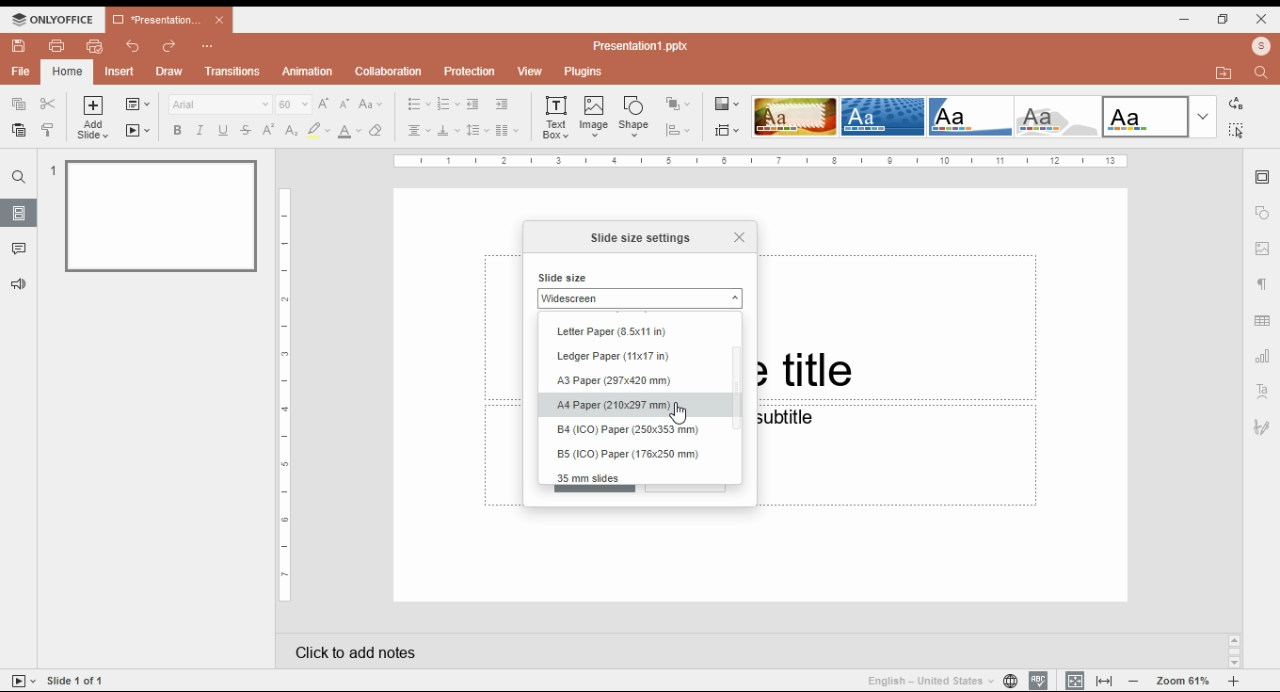  Describe the element at coordinates (219, 104) in the screenshot. I see `Arial` at that location.